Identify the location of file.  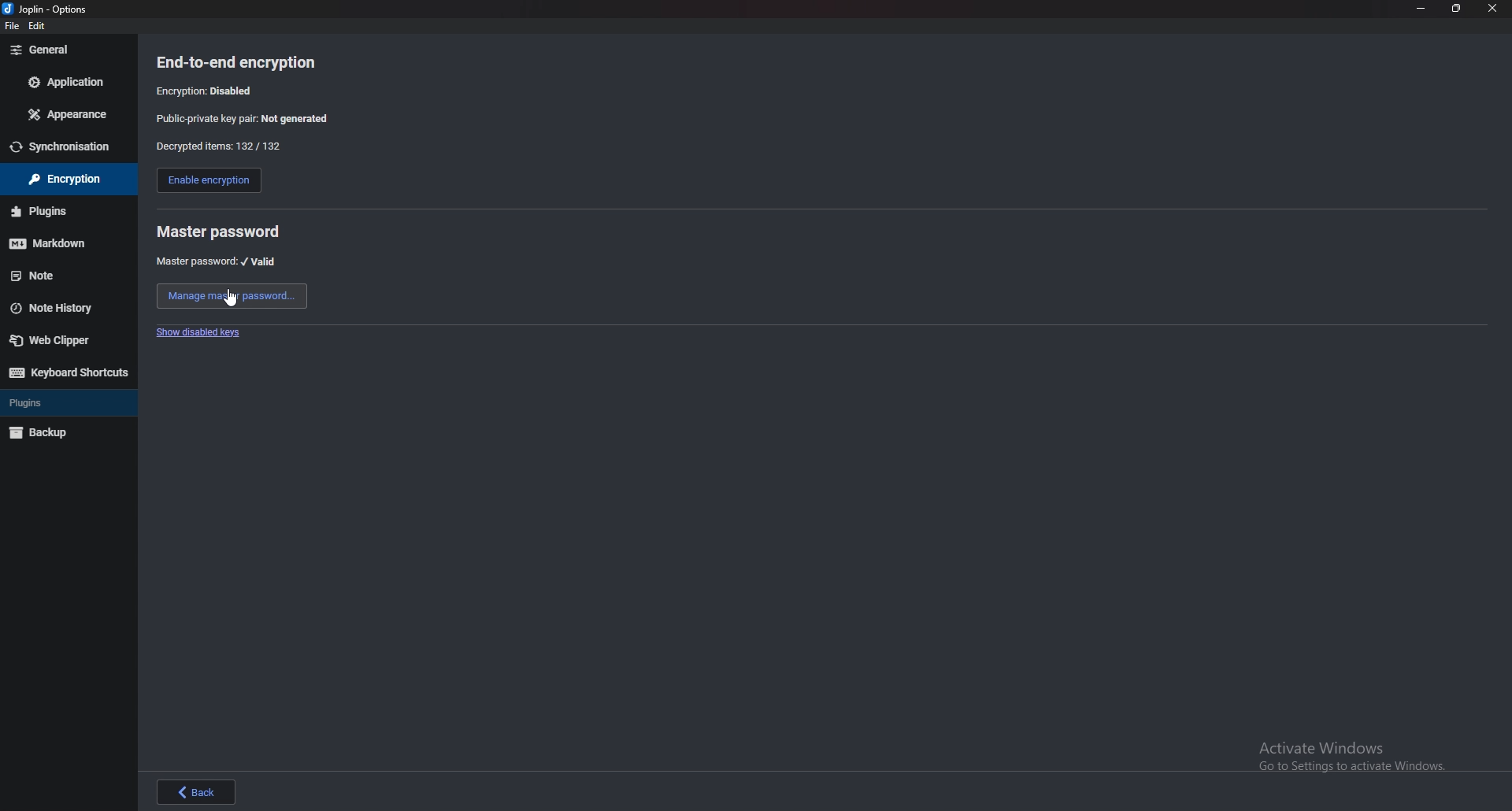
(13, 28).